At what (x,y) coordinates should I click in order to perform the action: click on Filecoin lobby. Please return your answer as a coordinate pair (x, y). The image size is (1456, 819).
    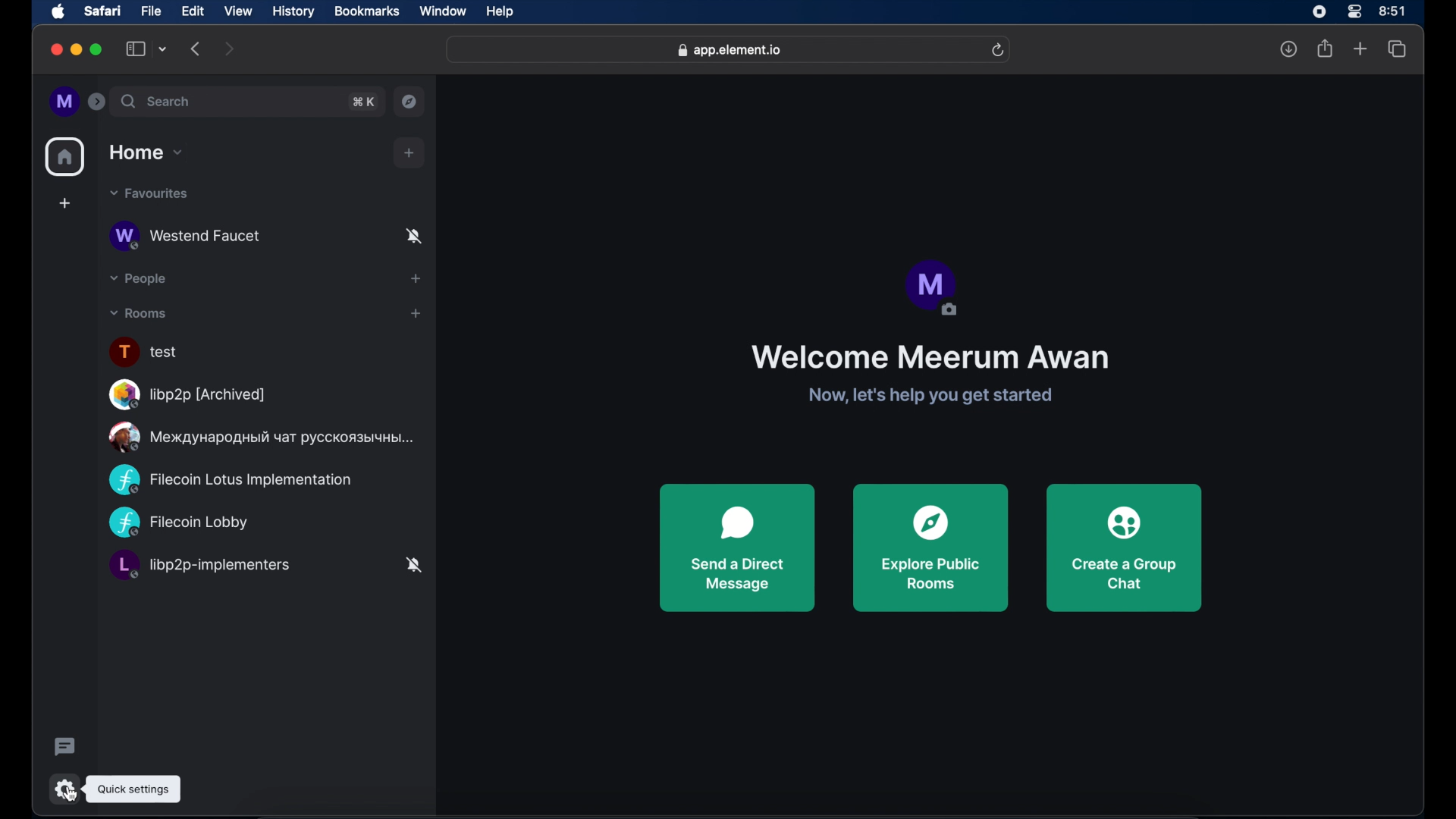
    Looking at the image, I should click on (181, 522).